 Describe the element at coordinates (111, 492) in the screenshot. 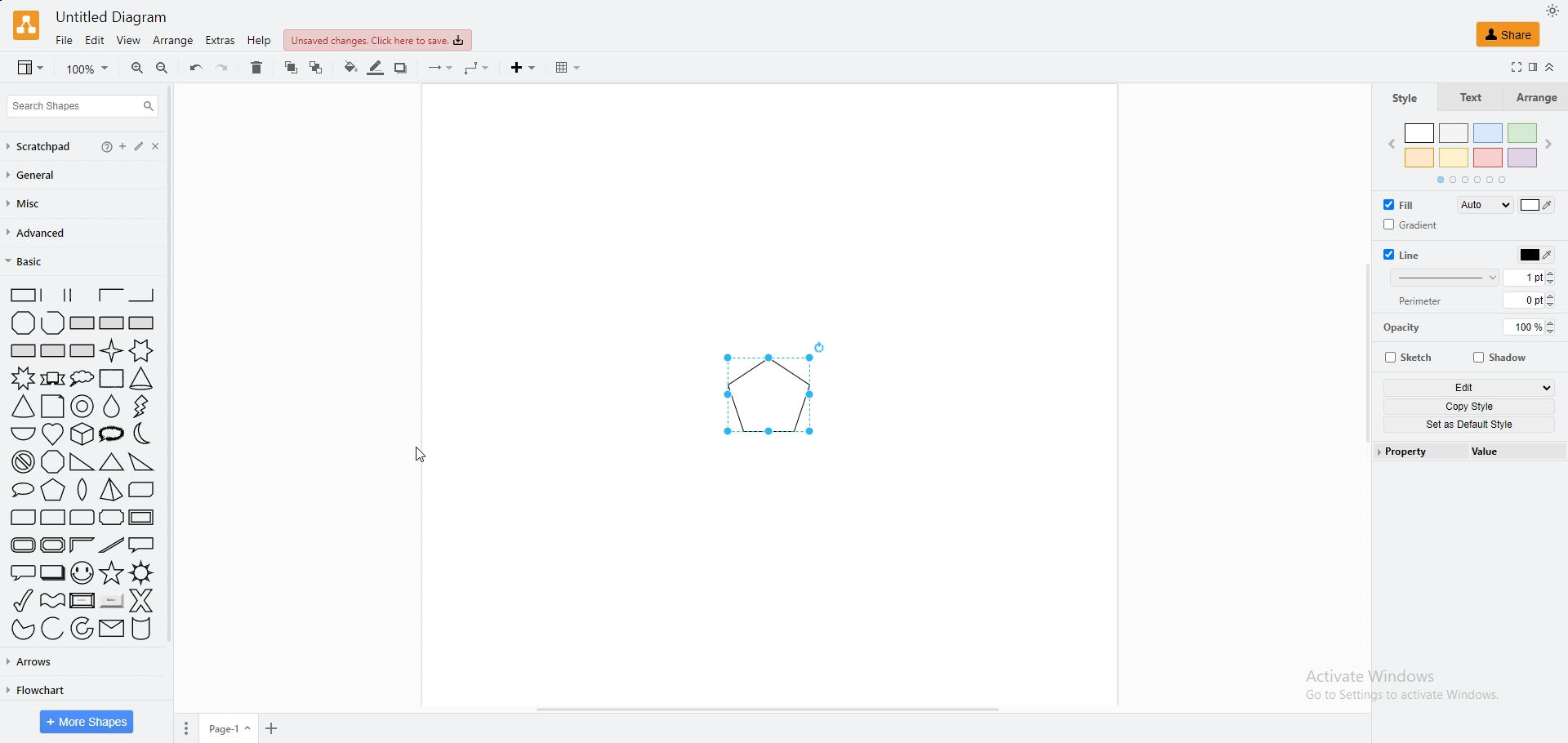

I see `pyramid` at that location.